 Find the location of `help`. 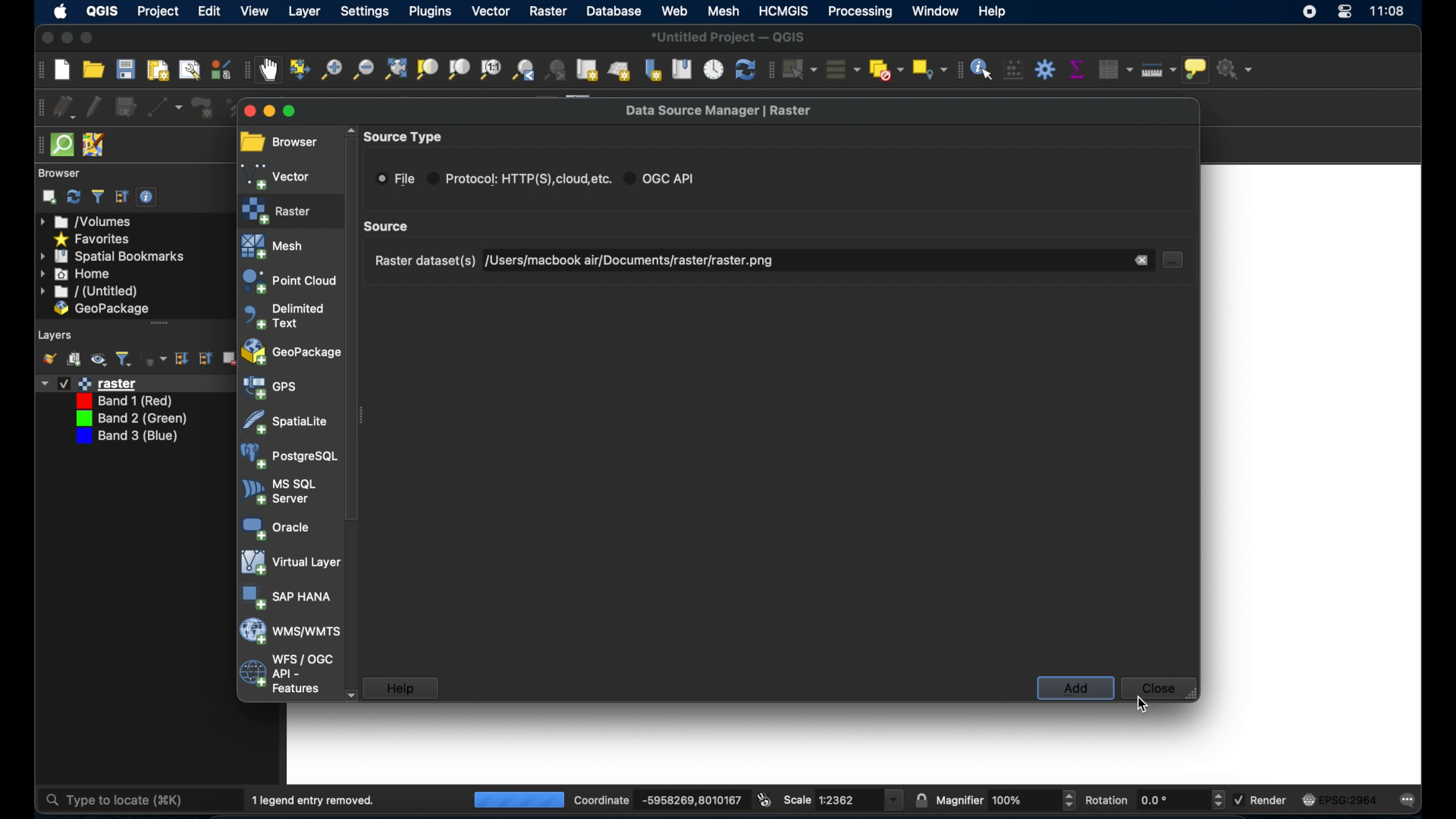

help is located at coordinates (994, 12).